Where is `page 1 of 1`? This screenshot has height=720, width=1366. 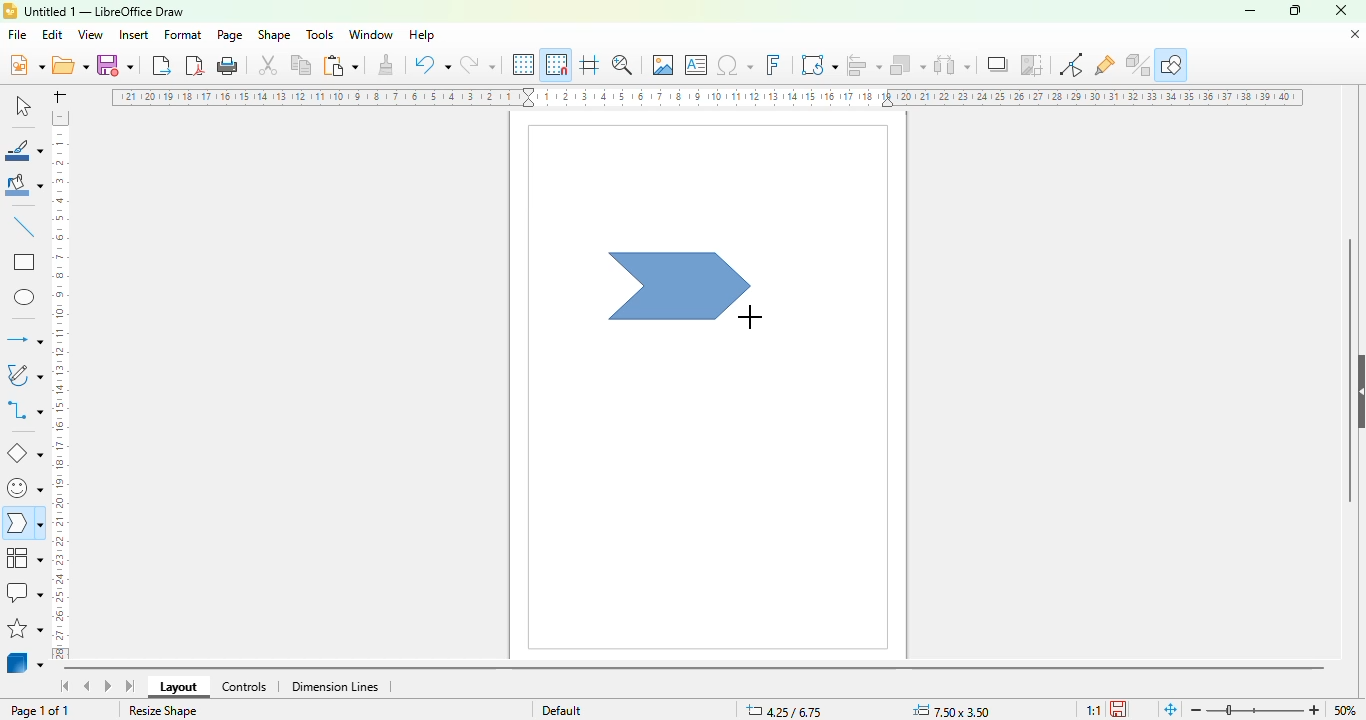 page 1 of 1 is located at coordinates (40, 711).